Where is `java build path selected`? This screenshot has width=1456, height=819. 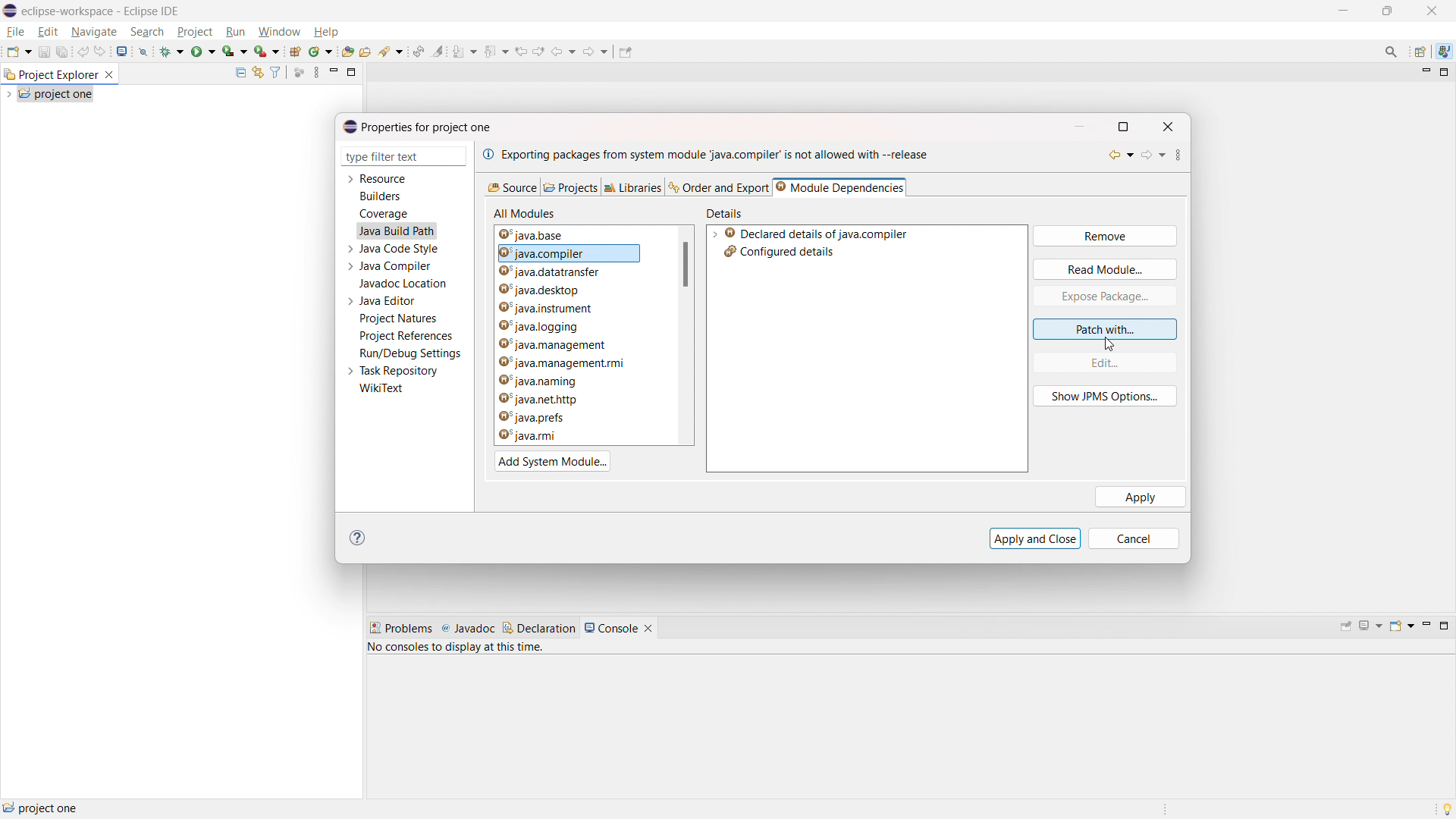
java build path selected is located at coordinates (396, 231).